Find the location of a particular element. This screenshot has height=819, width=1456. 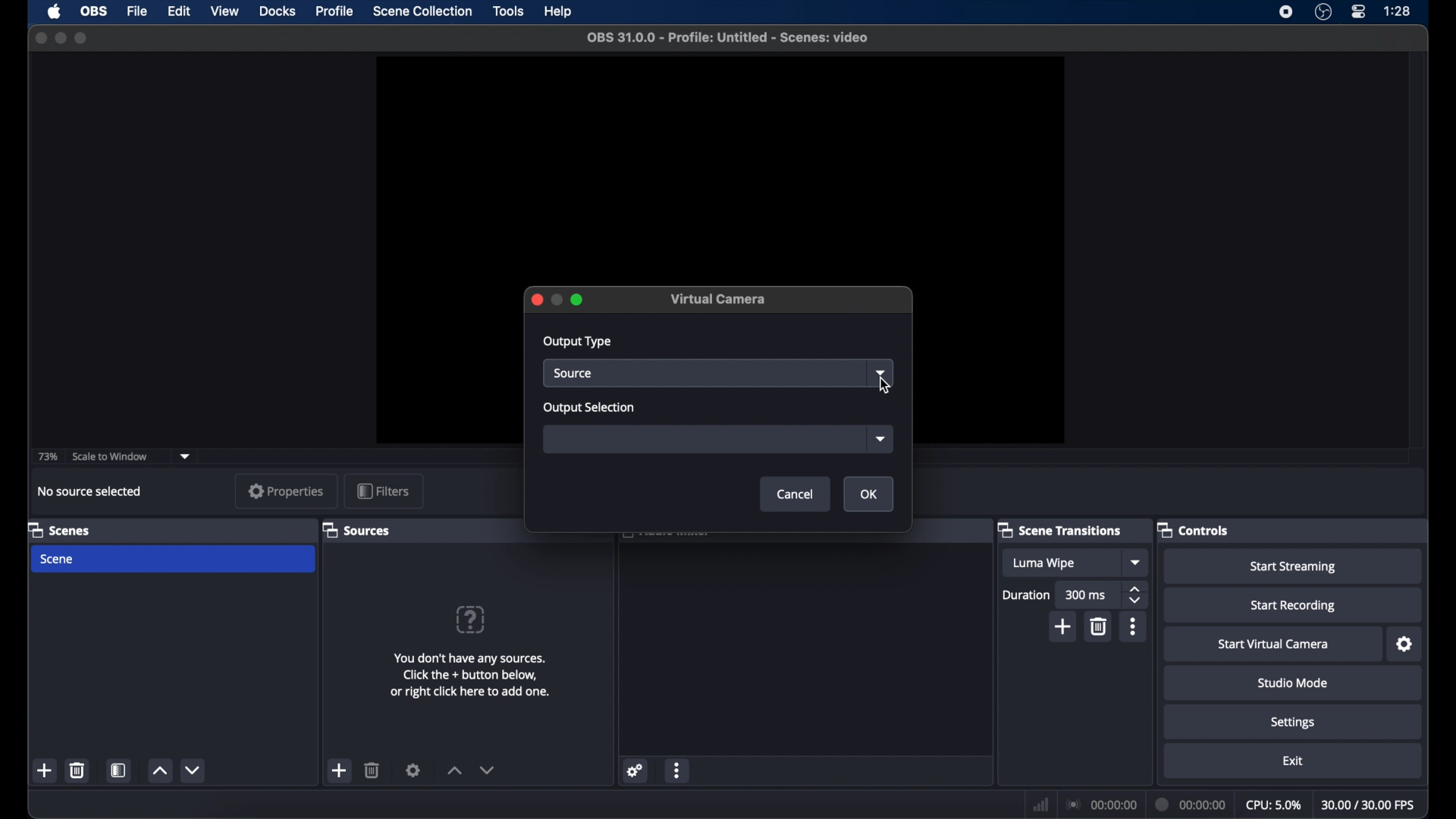

dropdown is located at coordinates (881, 373).